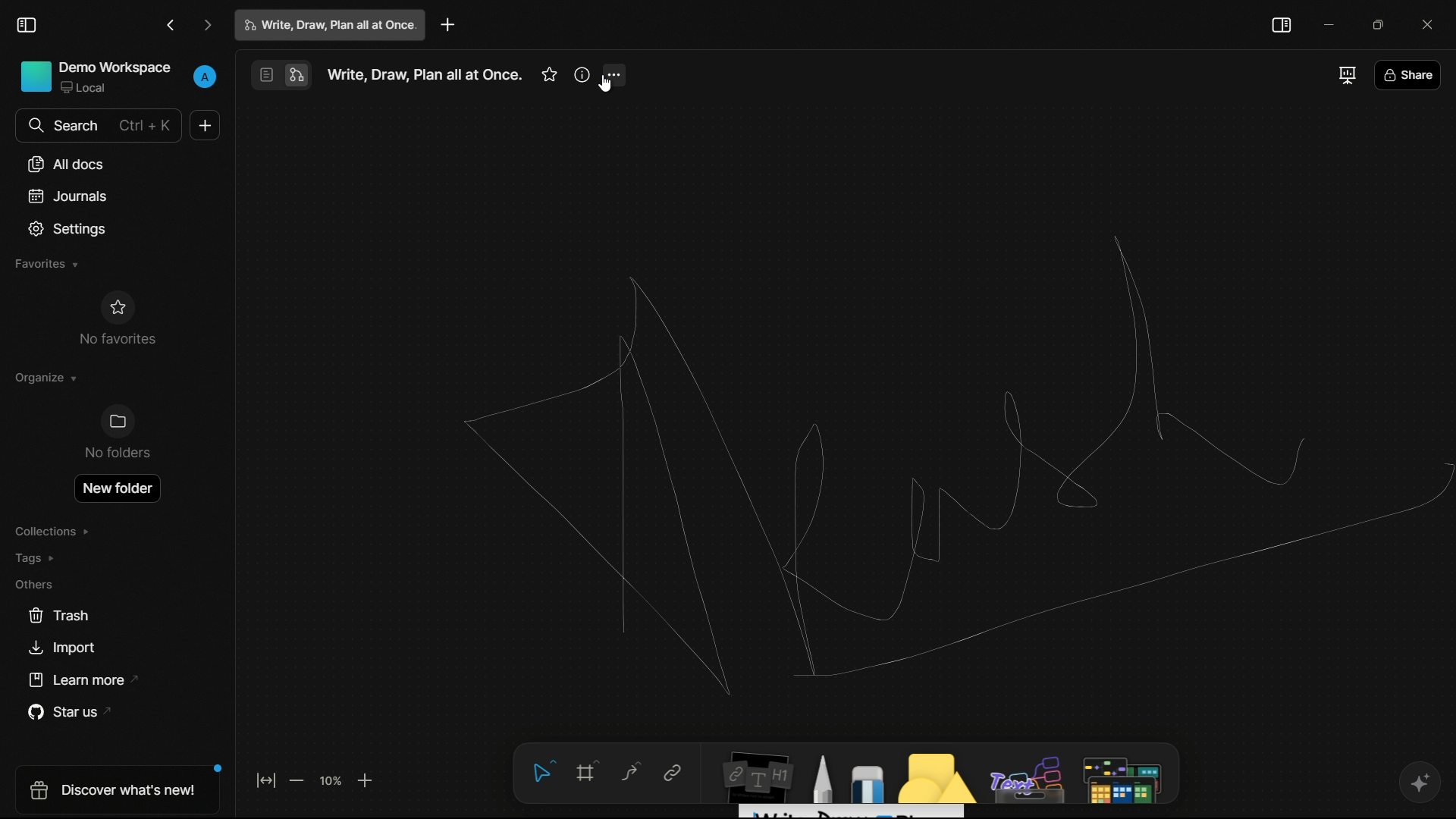  Describe the element at coordinates (753, 776) in the screenshot. I see `notes` at that location.